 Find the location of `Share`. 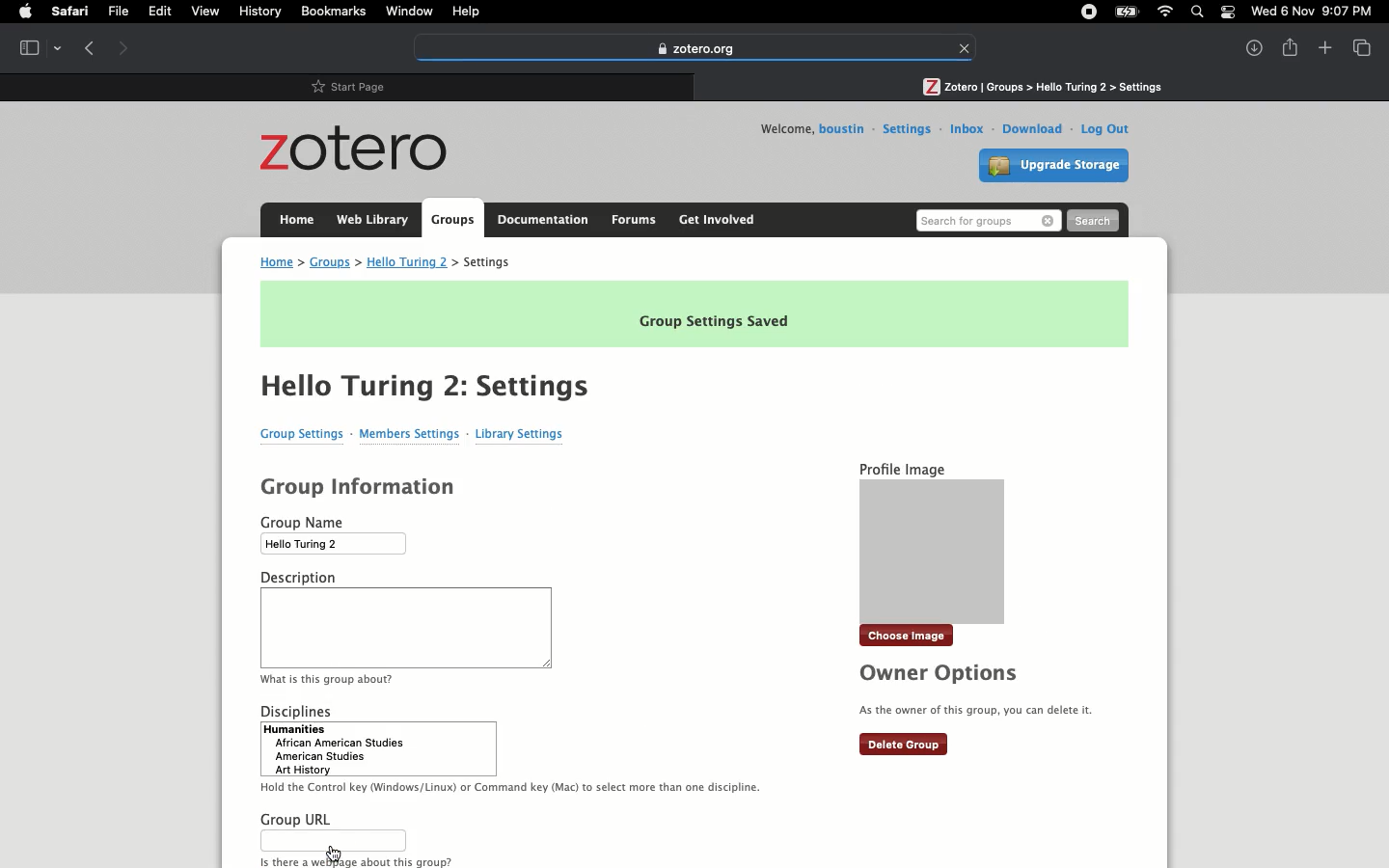

Share is located at coordinates (1291, 46).